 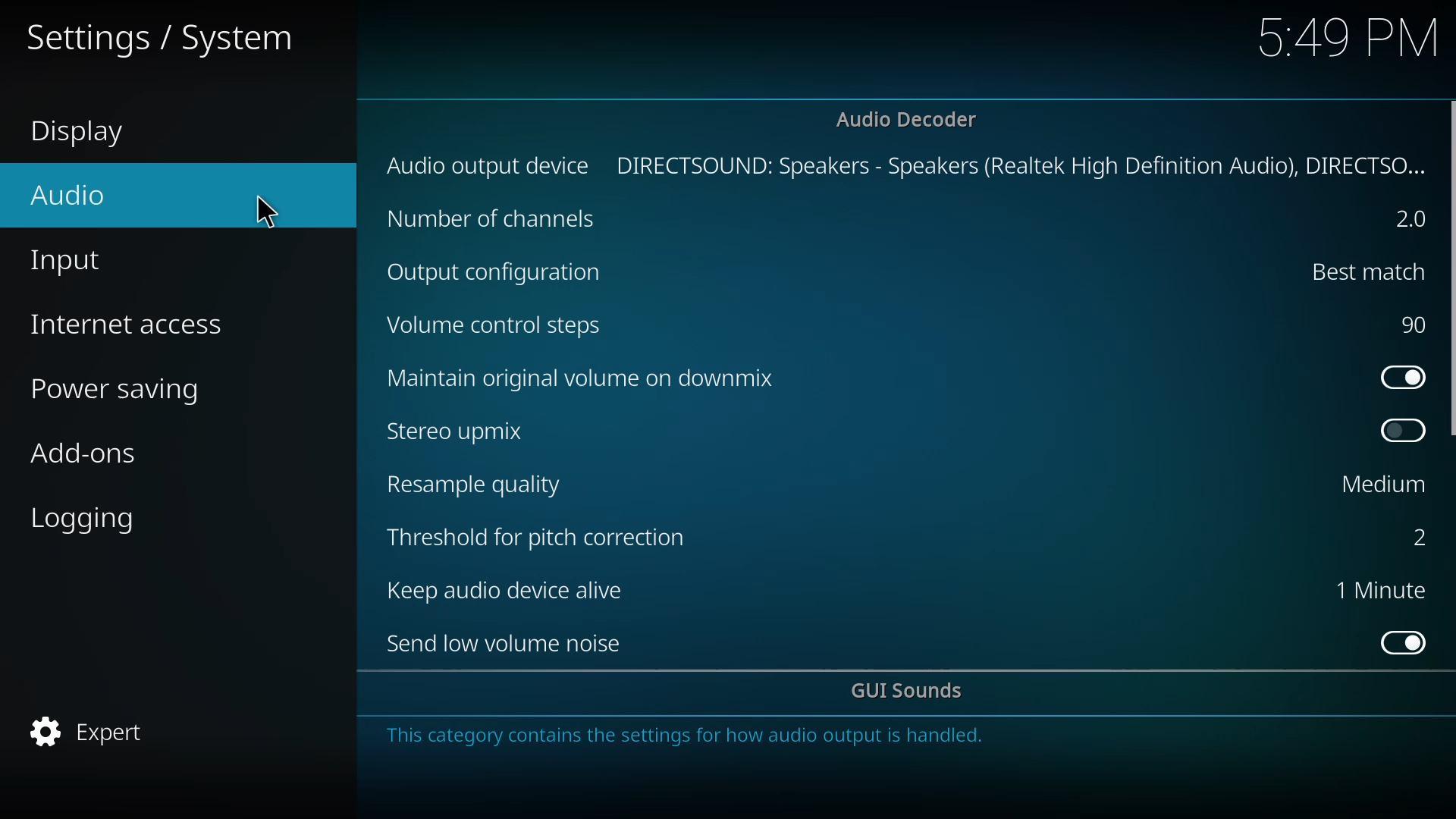 I want to click on 2, so click(x=1411, y=219).